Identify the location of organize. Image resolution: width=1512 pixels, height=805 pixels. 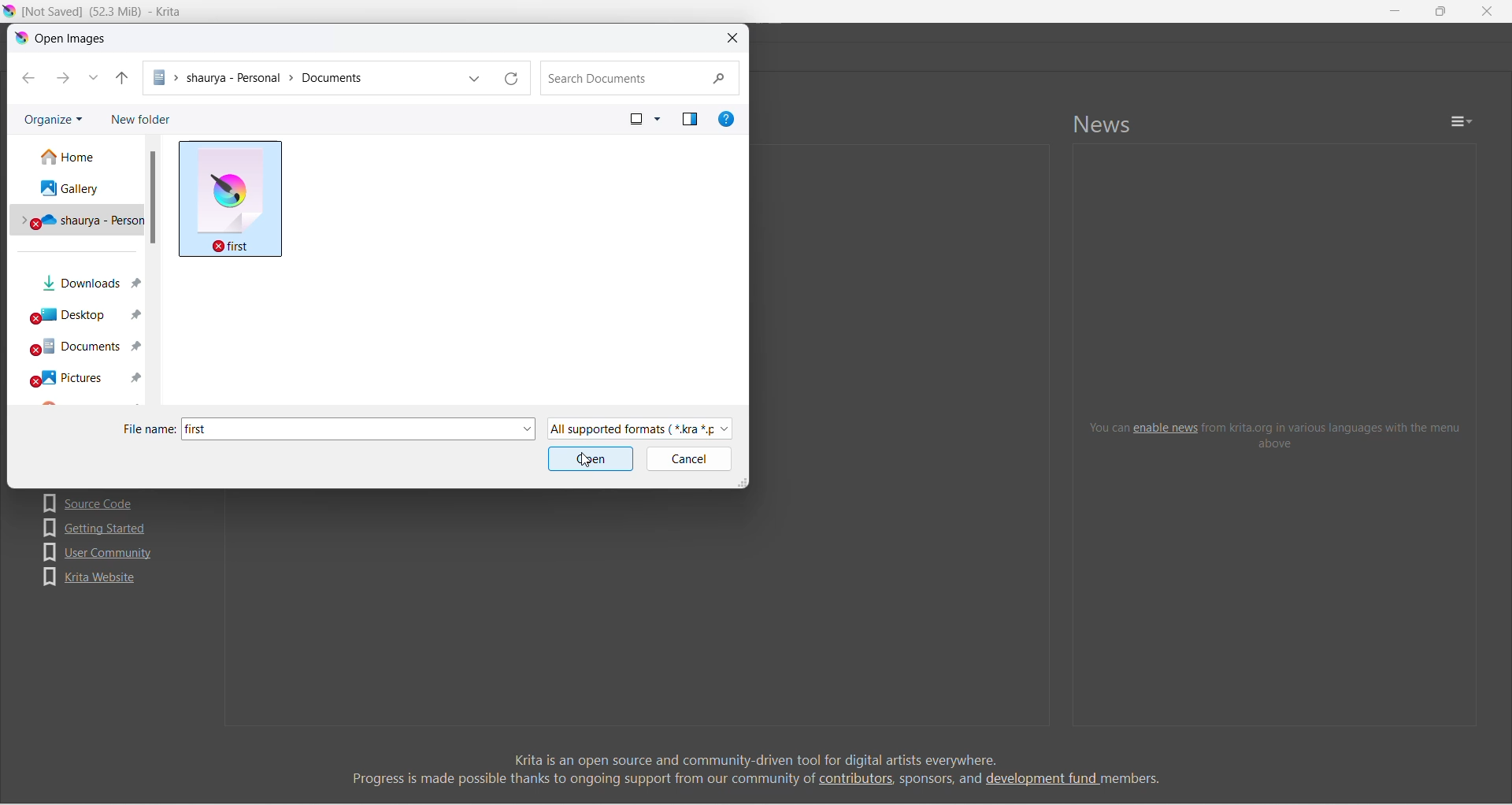
(54, 118).